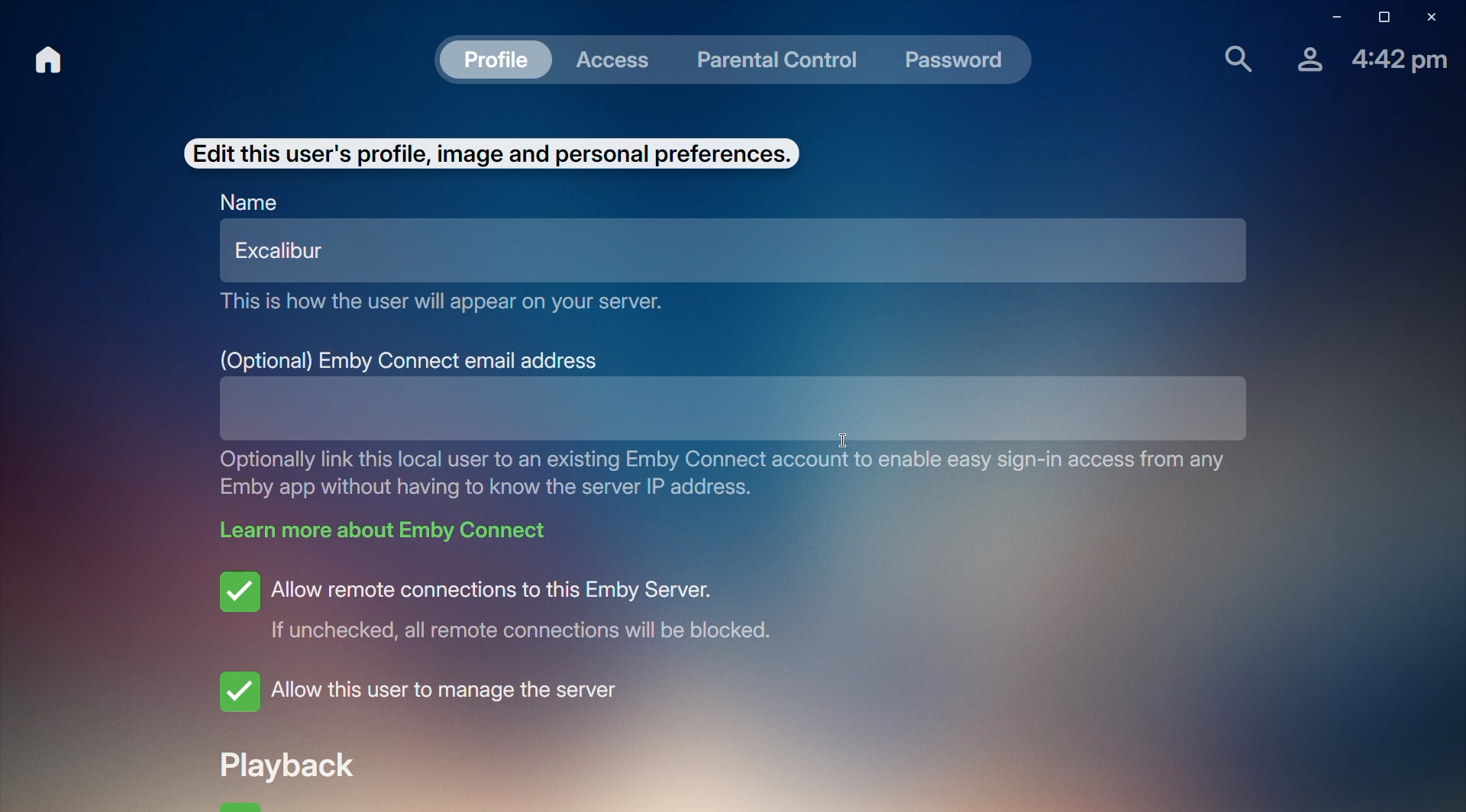 The width and height of the screenshot is (1466, 812). I want to click on Name, so click(250, 202).